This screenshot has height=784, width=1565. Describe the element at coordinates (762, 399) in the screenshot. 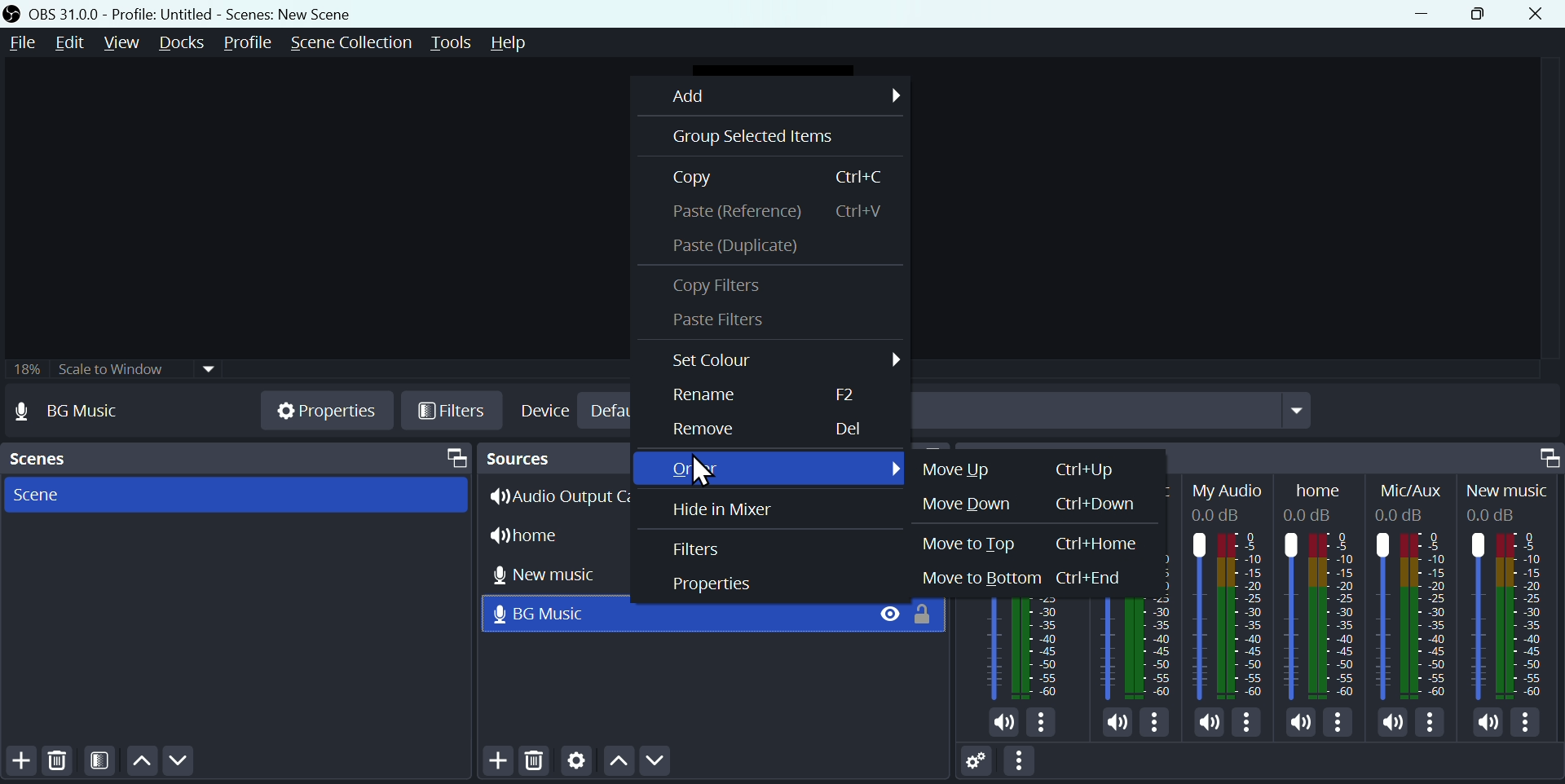

I see `Rename` at that location.